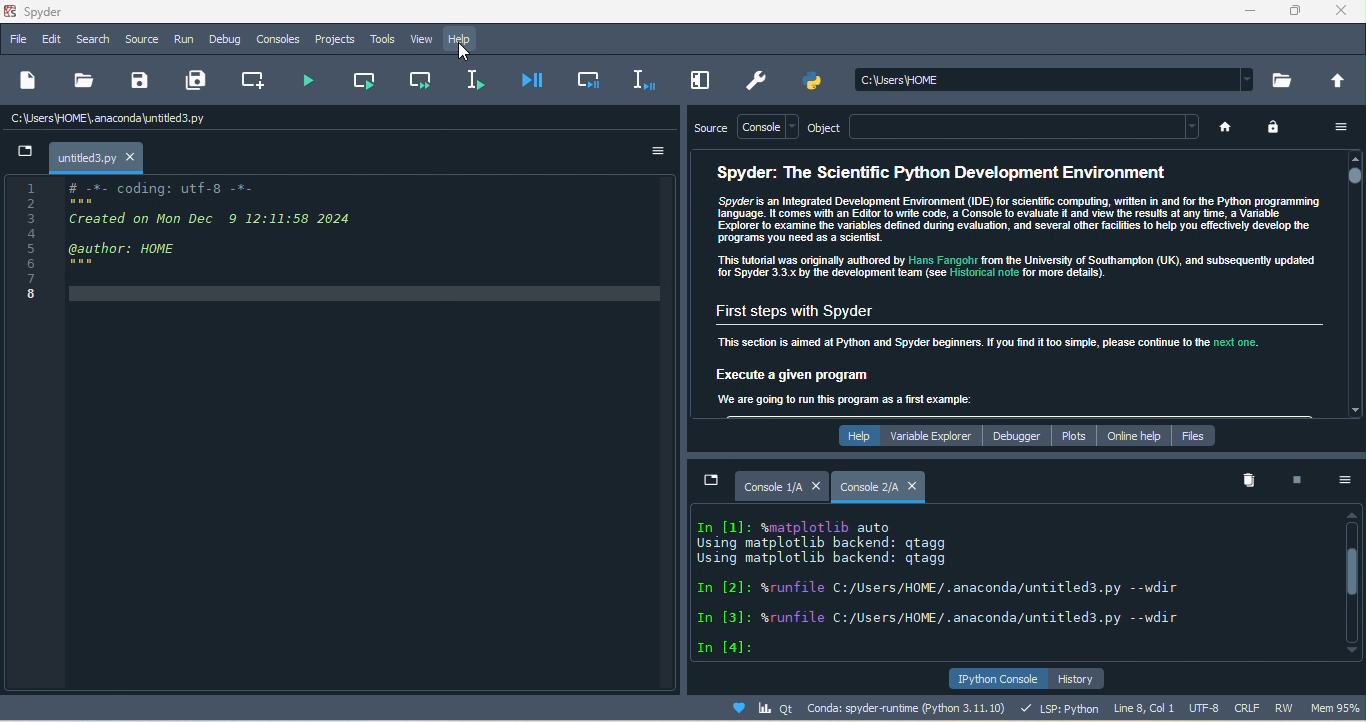 This screenshot has width=1366, height=722. Describe the element at coordinates (18, 41) in the screenshot. I see `file` at that location.